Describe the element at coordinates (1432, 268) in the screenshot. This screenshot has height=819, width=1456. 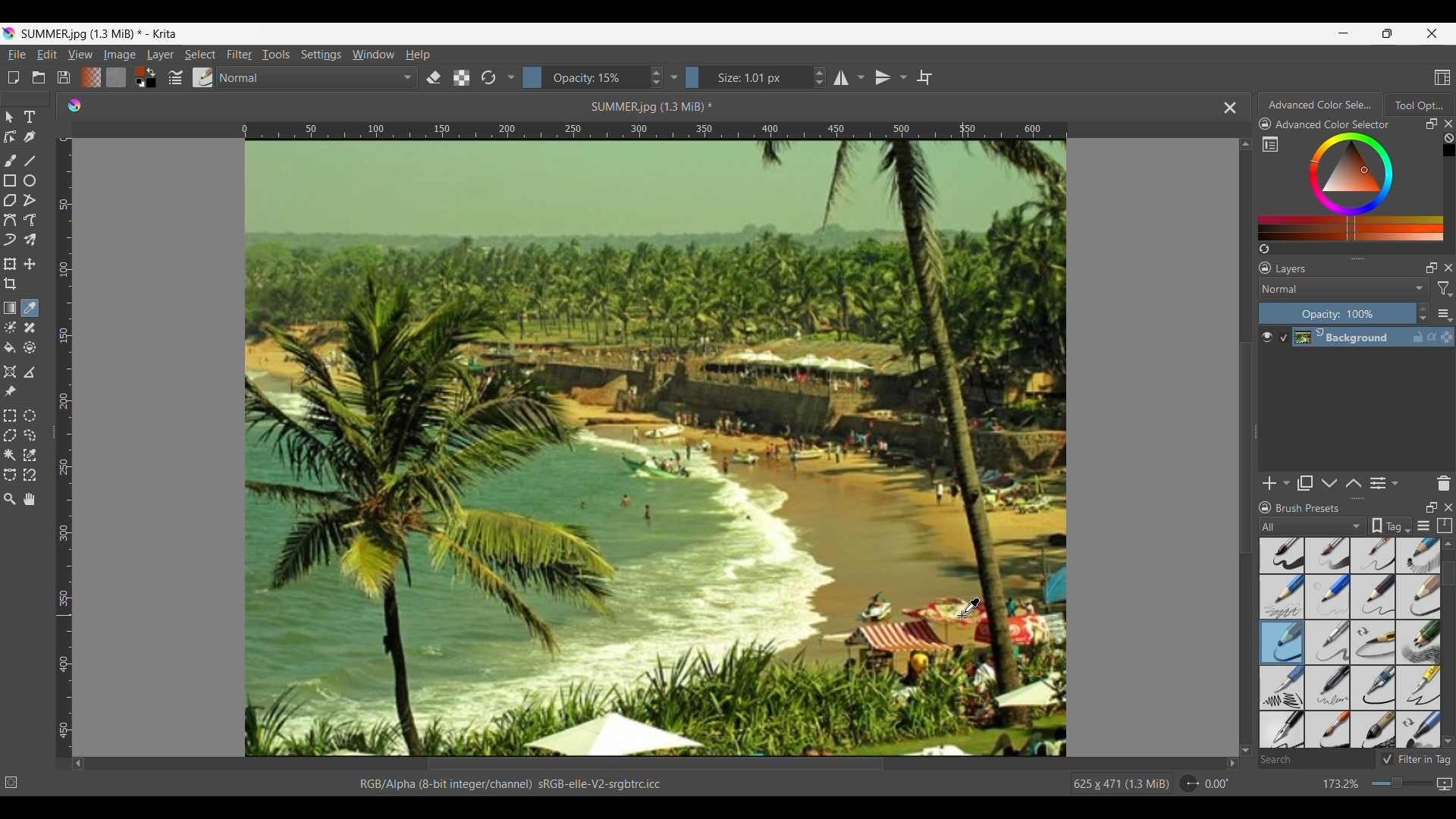
I see `Float docker` at that location.